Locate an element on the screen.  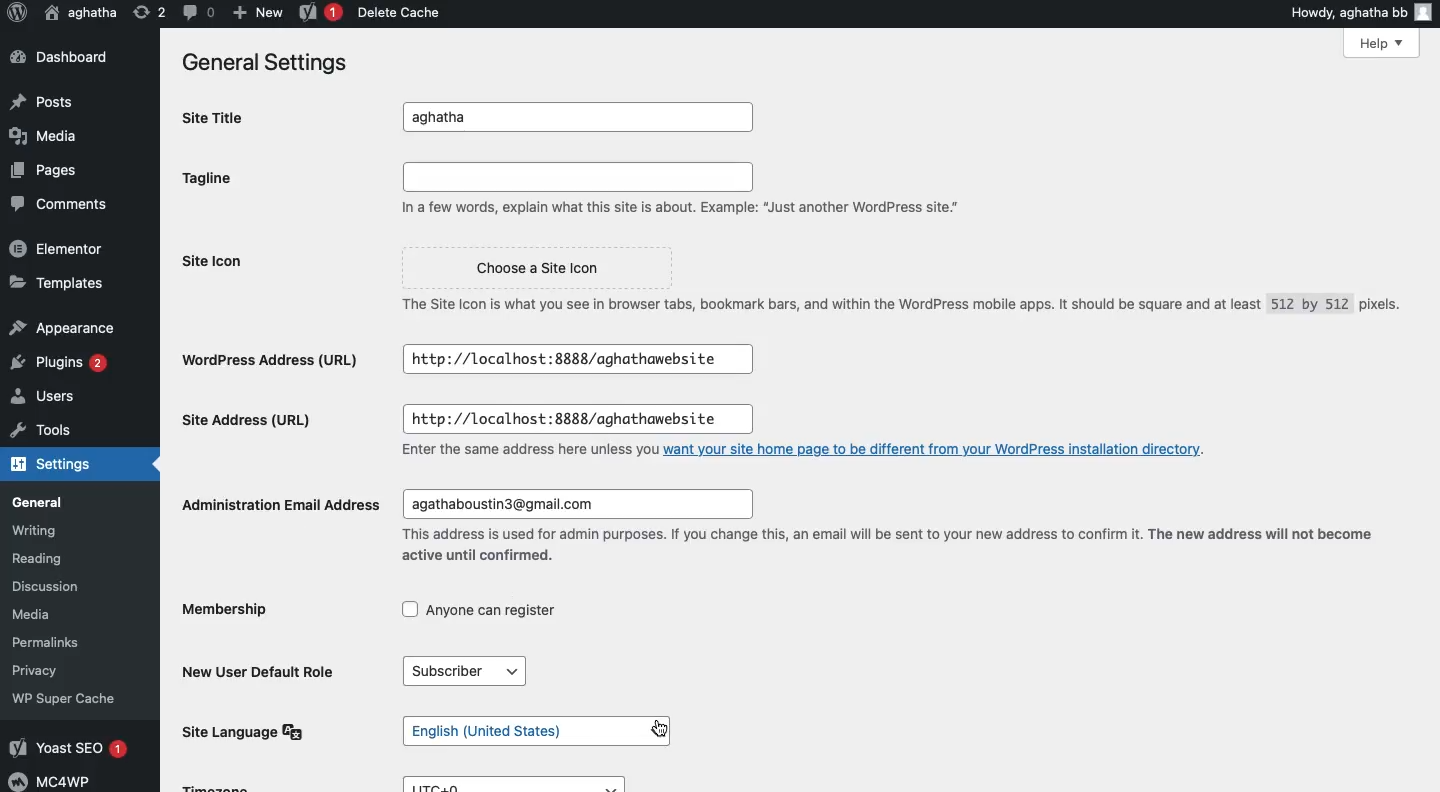
Cursor is located at coordinates (658, 730).